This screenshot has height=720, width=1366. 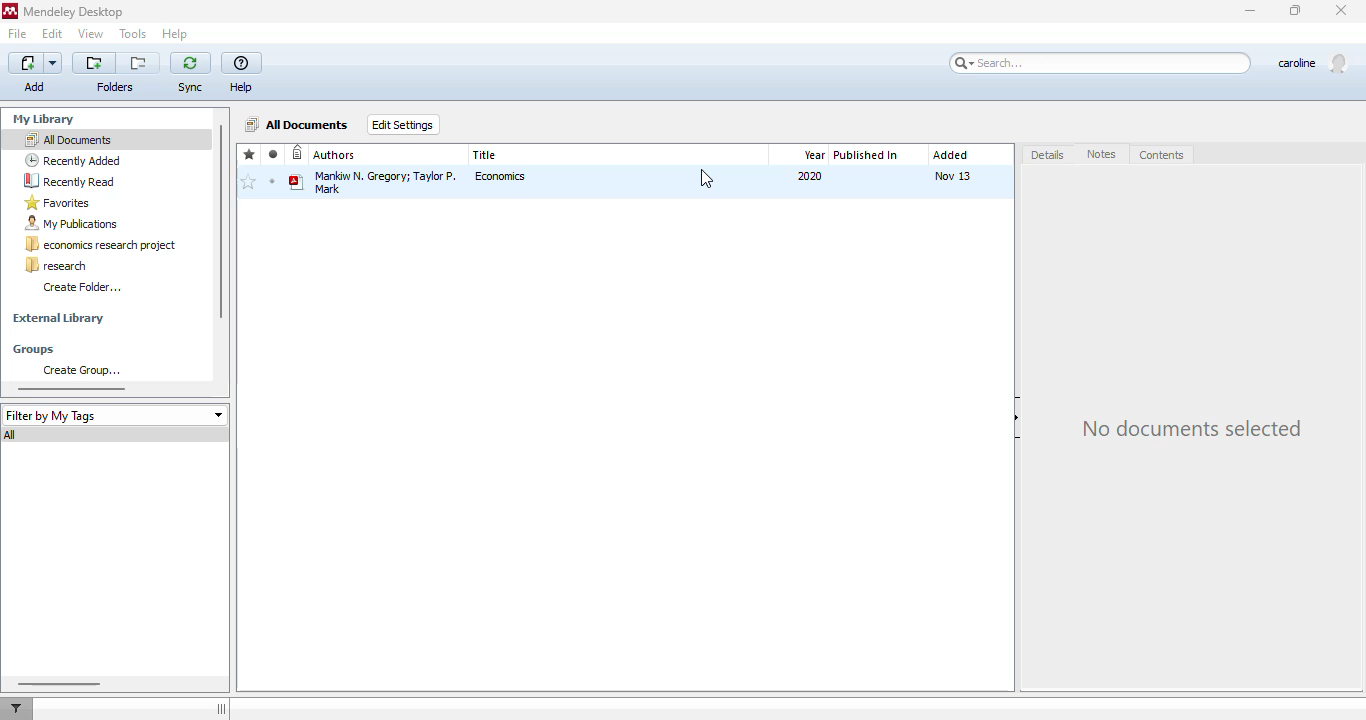 I want to click on remove the current folder, so click(x=139, y=63).